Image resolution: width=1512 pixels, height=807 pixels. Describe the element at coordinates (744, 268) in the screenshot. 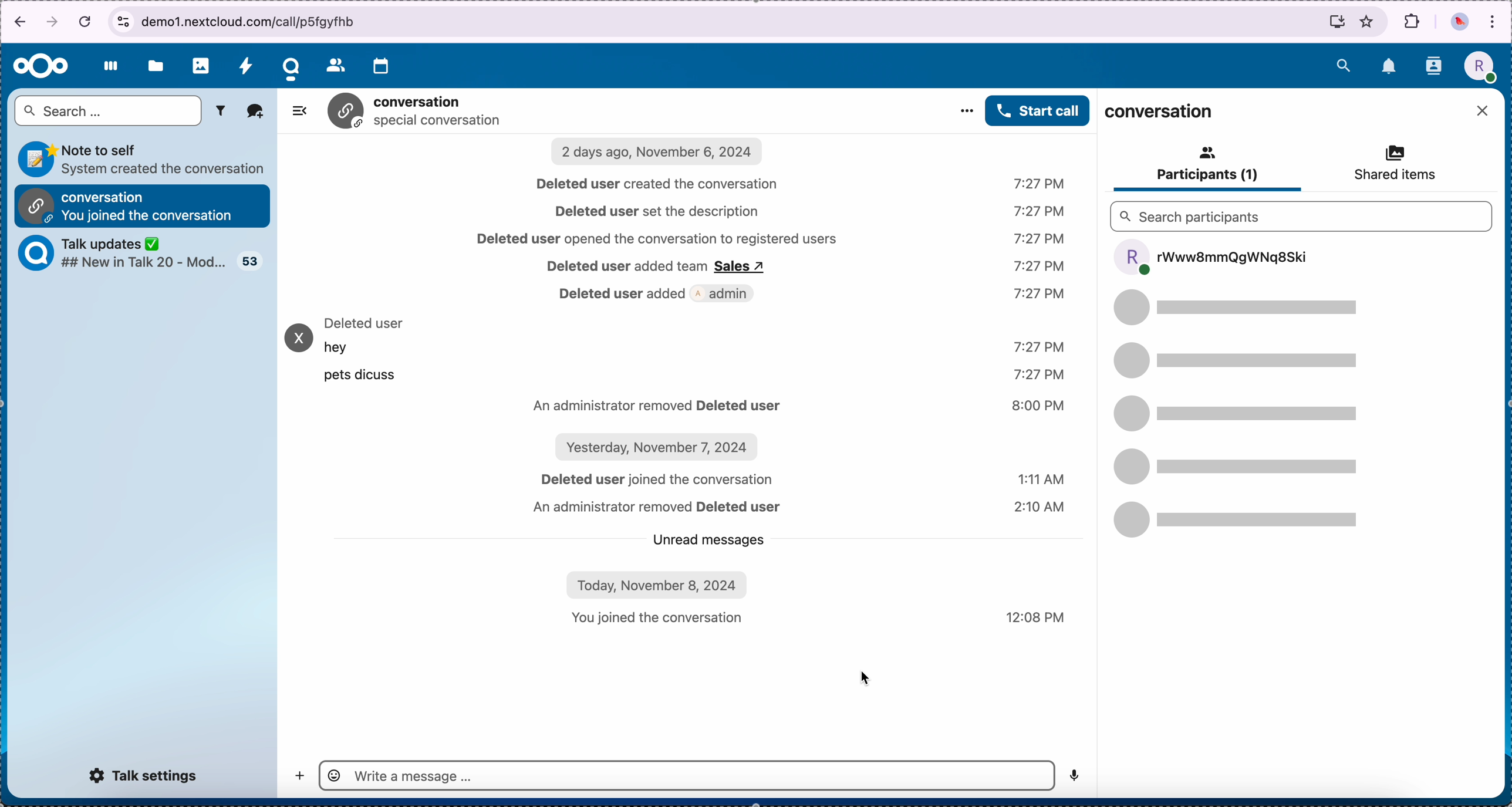

I see `sales` at that location.